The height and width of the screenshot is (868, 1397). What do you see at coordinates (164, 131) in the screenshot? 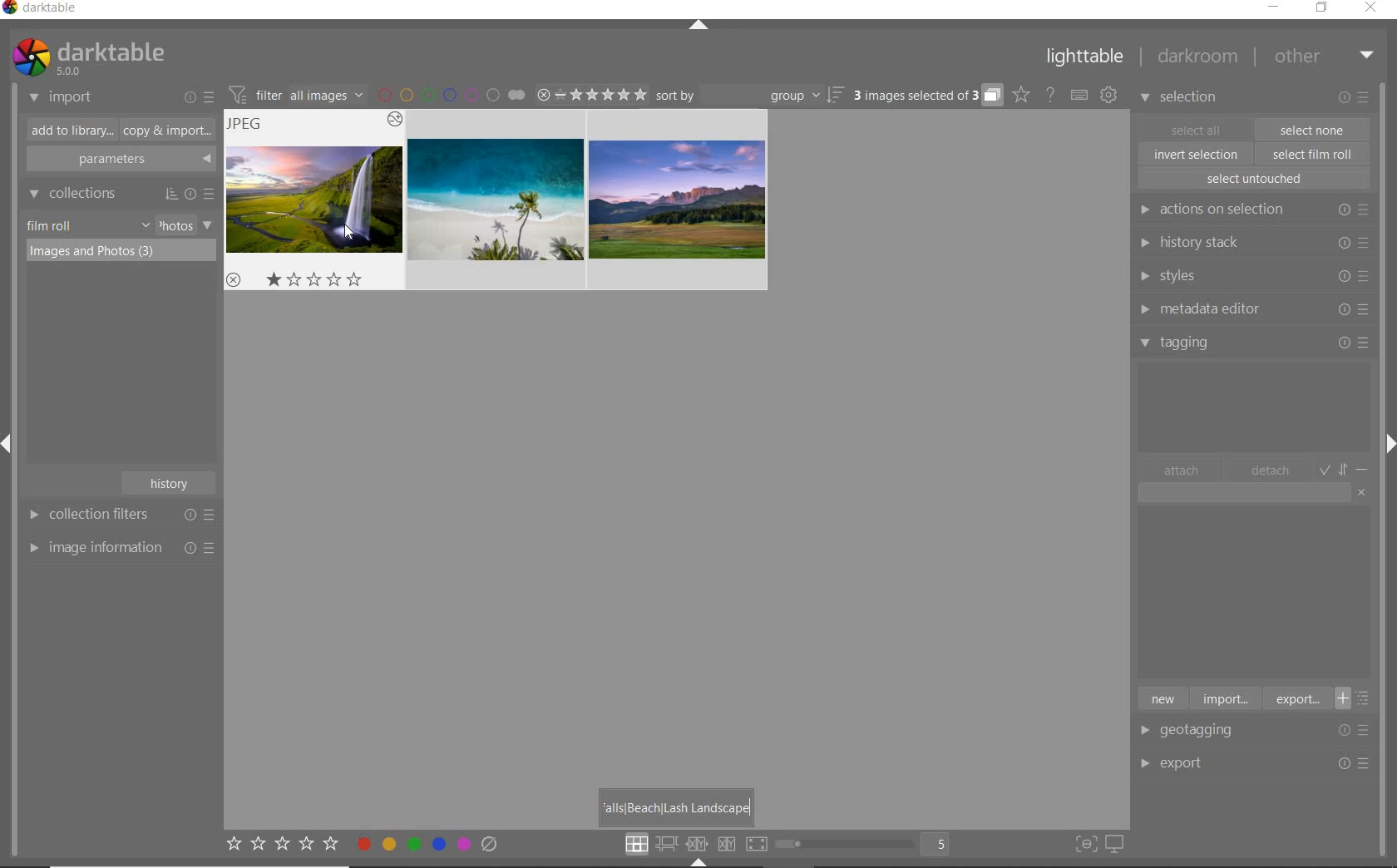
I see `copy & import` at bounding box center [164, 131].